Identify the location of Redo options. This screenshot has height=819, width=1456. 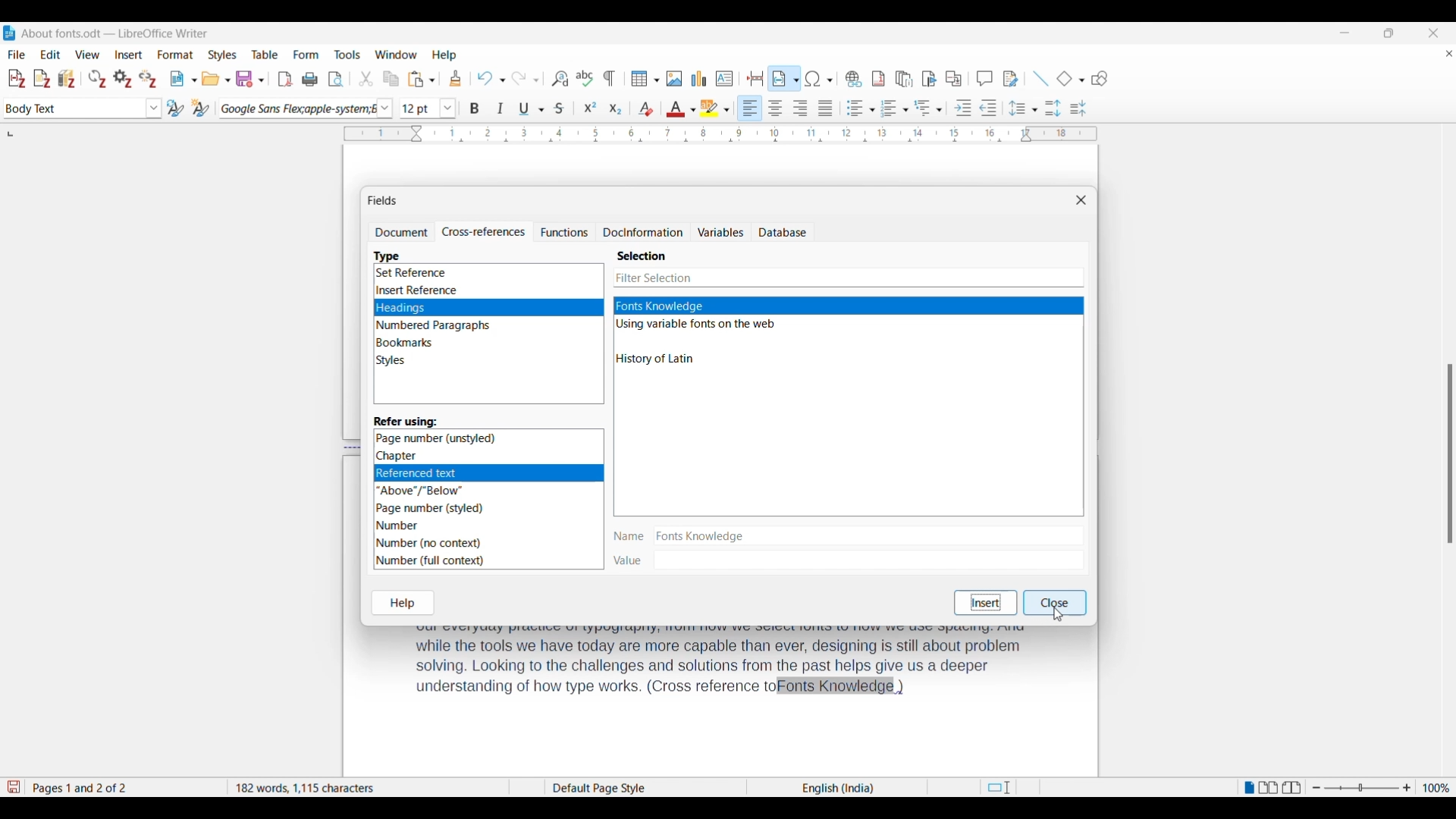
(525, 79).